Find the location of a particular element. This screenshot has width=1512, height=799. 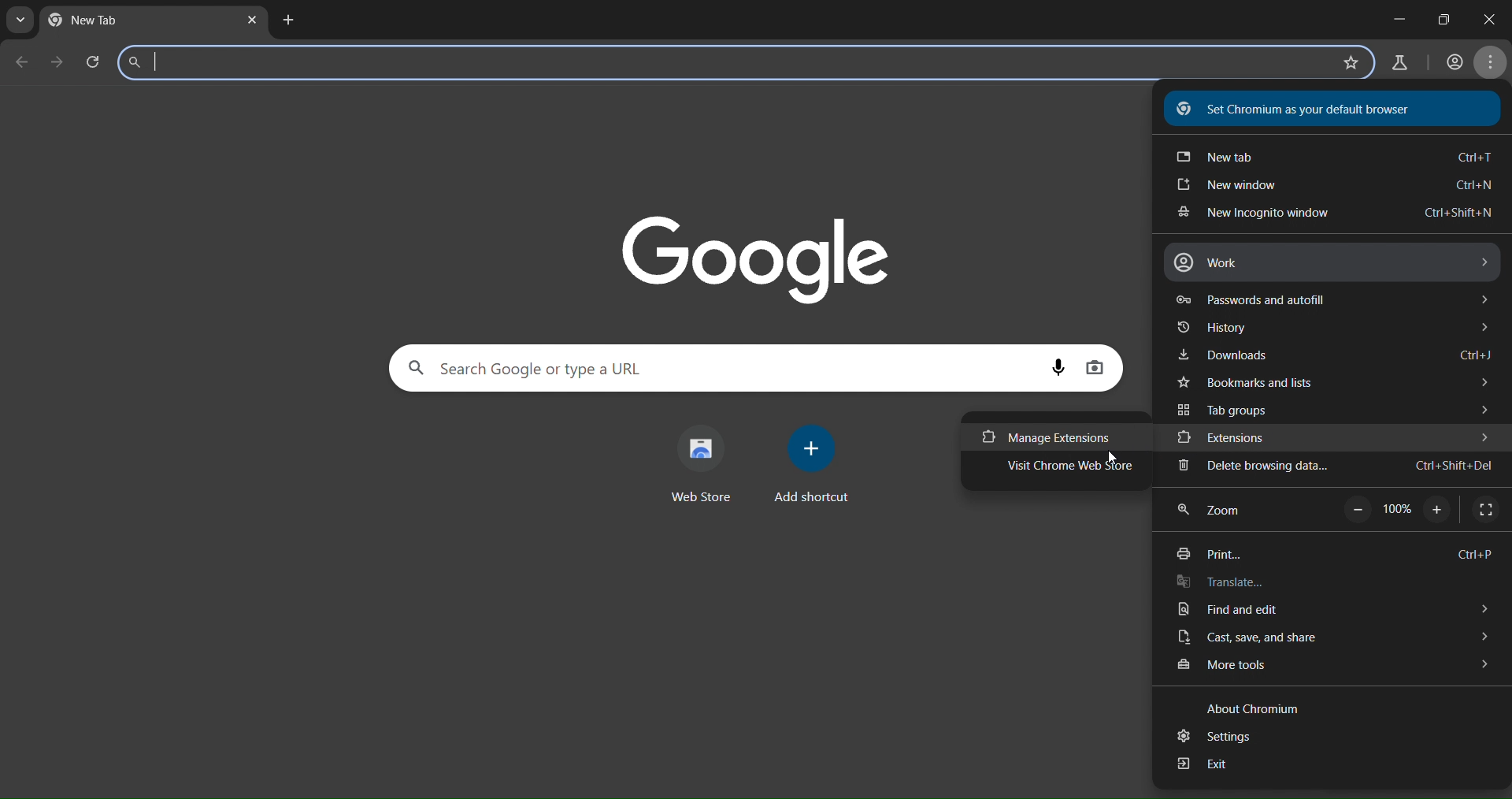

menu is located at coordinates (1492, 64).